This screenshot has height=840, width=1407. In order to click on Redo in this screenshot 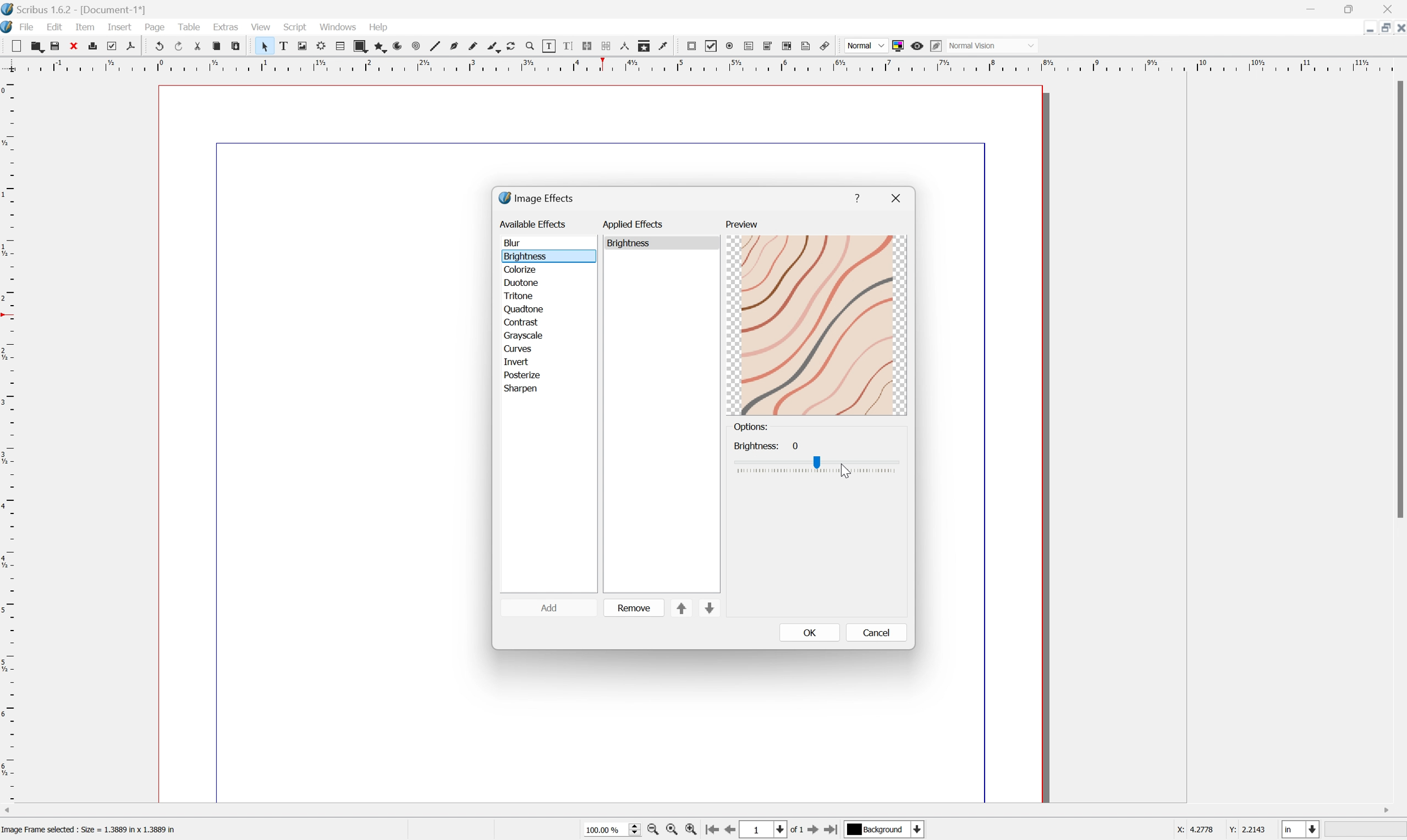, I will do `click(177, 45)`.